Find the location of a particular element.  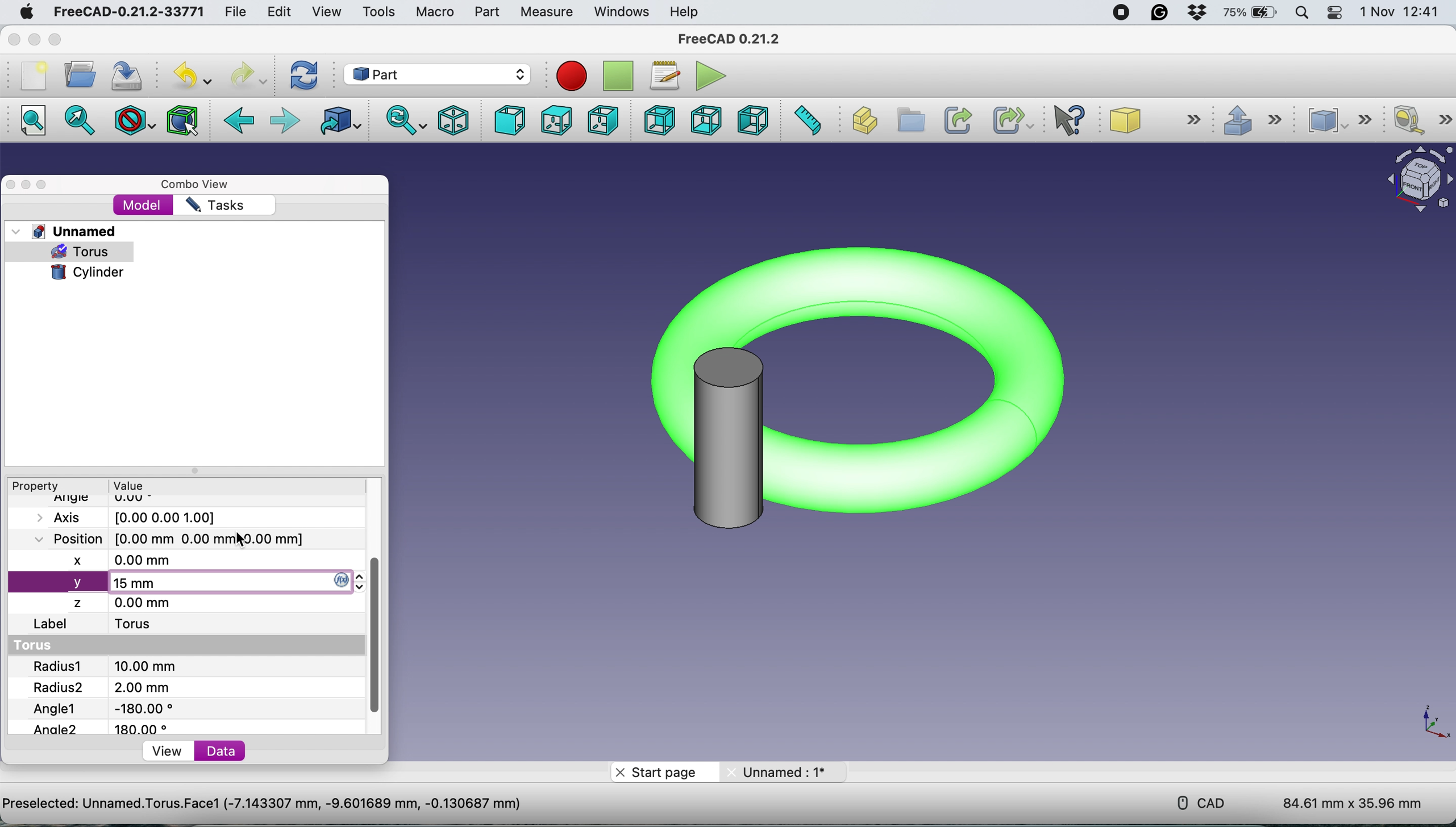

Angle1 and angle2's value is located at coordinates (113, 717).